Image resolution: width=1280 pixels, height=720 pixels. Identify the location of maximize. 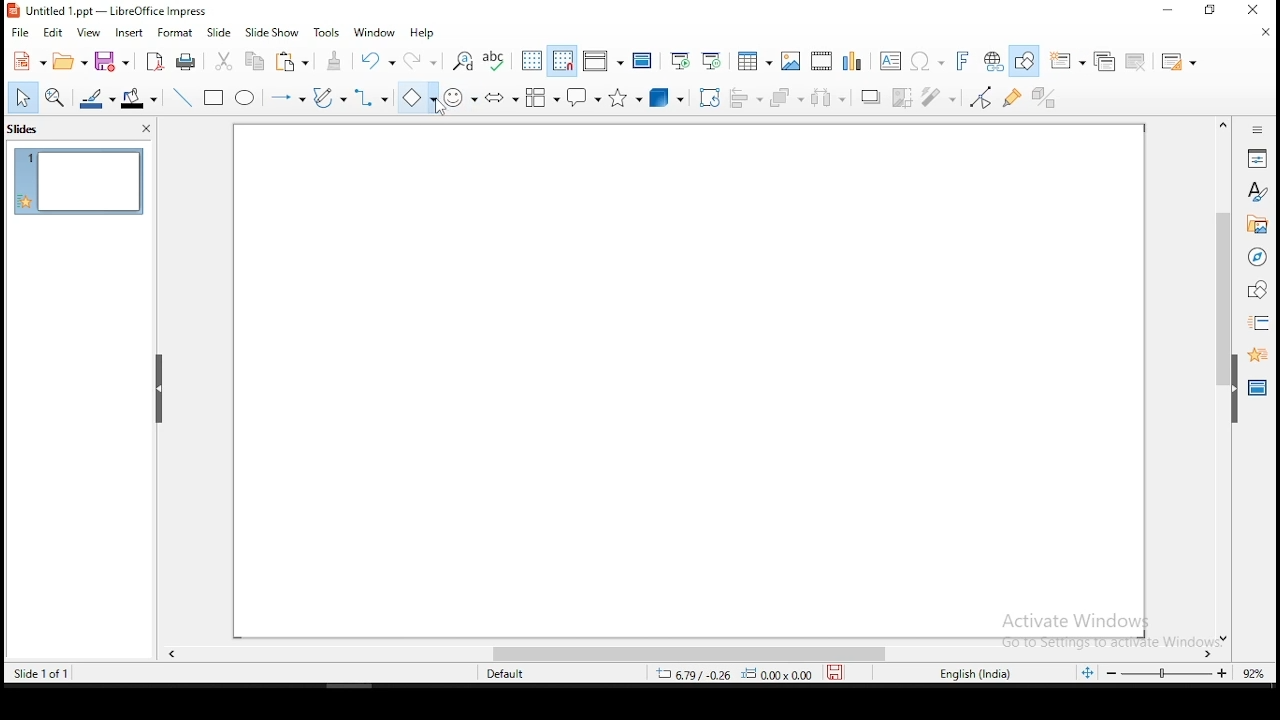
(1213, 11).